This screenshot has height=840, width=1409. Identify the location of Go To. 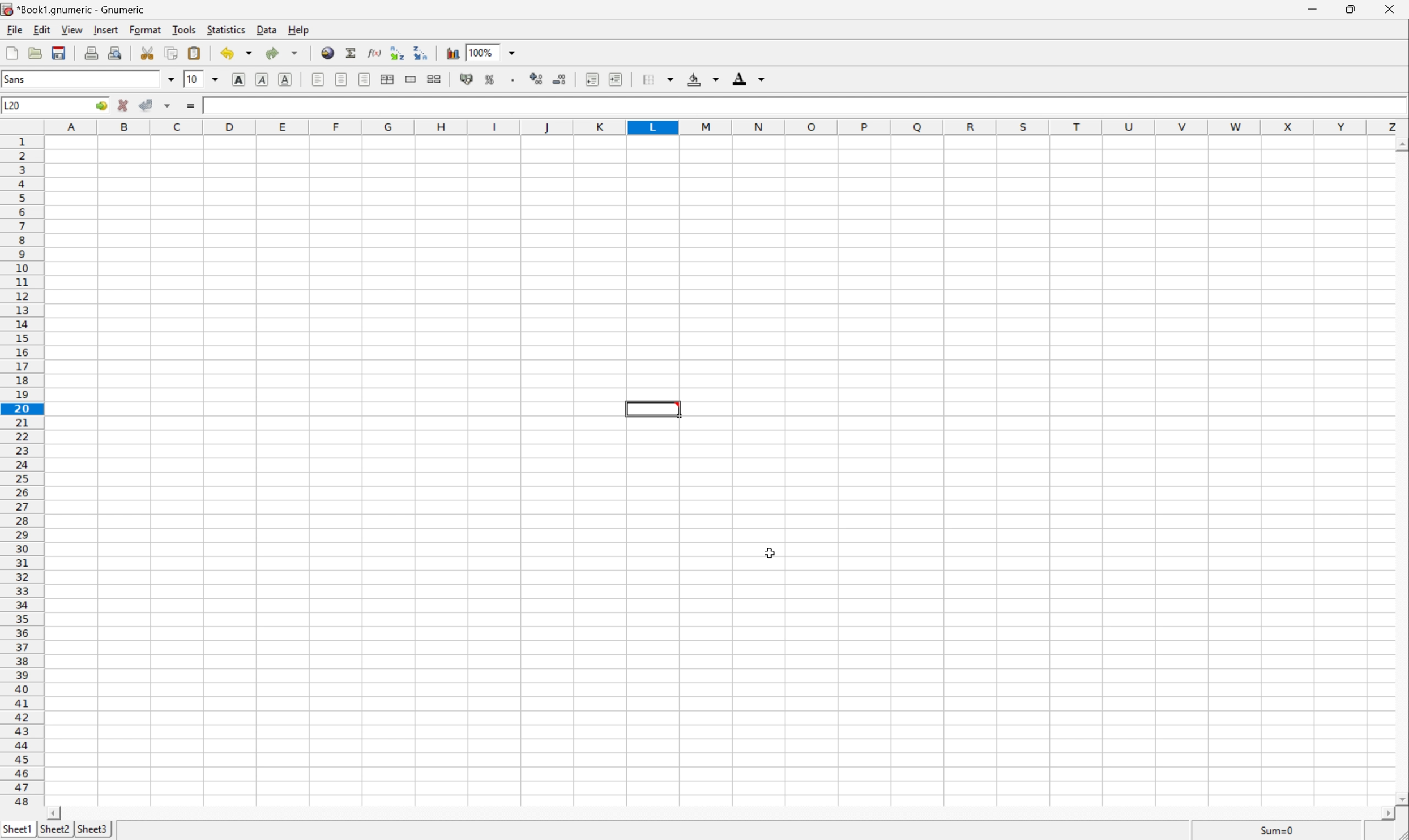
(101, 106).